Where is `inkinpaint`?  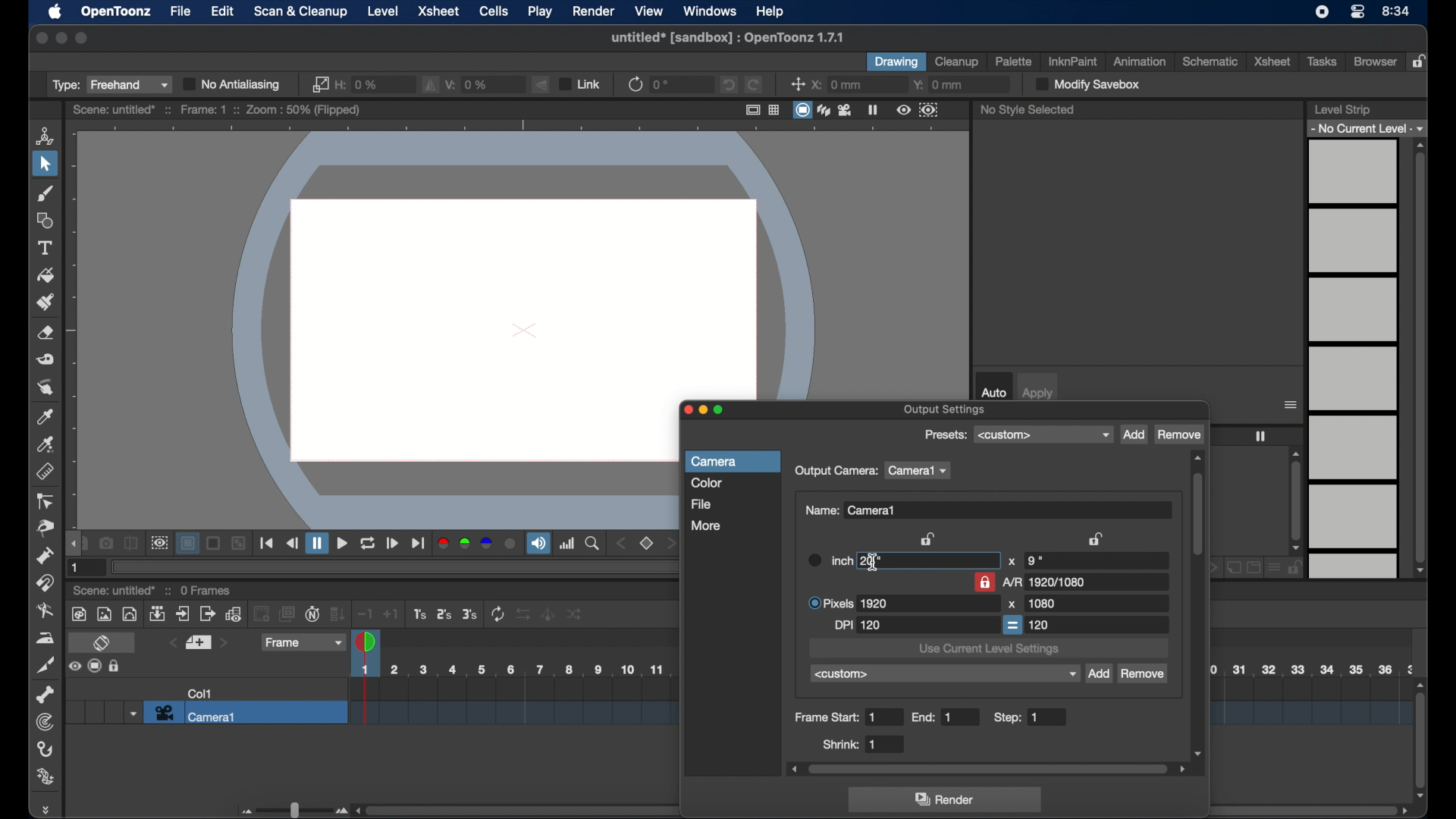
inkinpaint is located at coordinates (1074, 61).